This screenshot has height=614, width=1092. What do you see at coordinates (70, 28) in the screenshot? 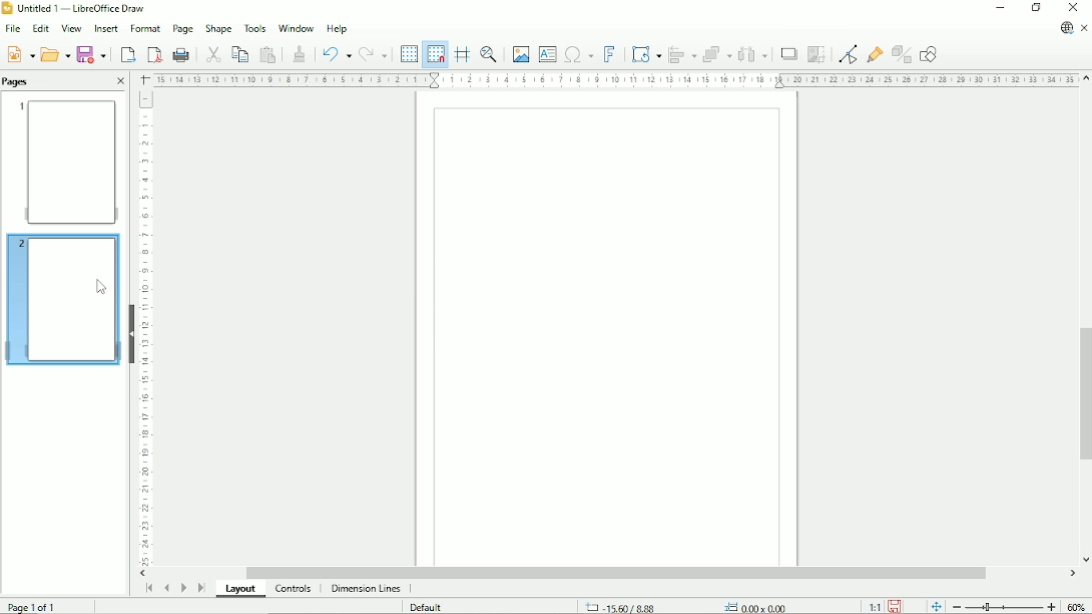
I see `View` at bounding box center [70, 28].